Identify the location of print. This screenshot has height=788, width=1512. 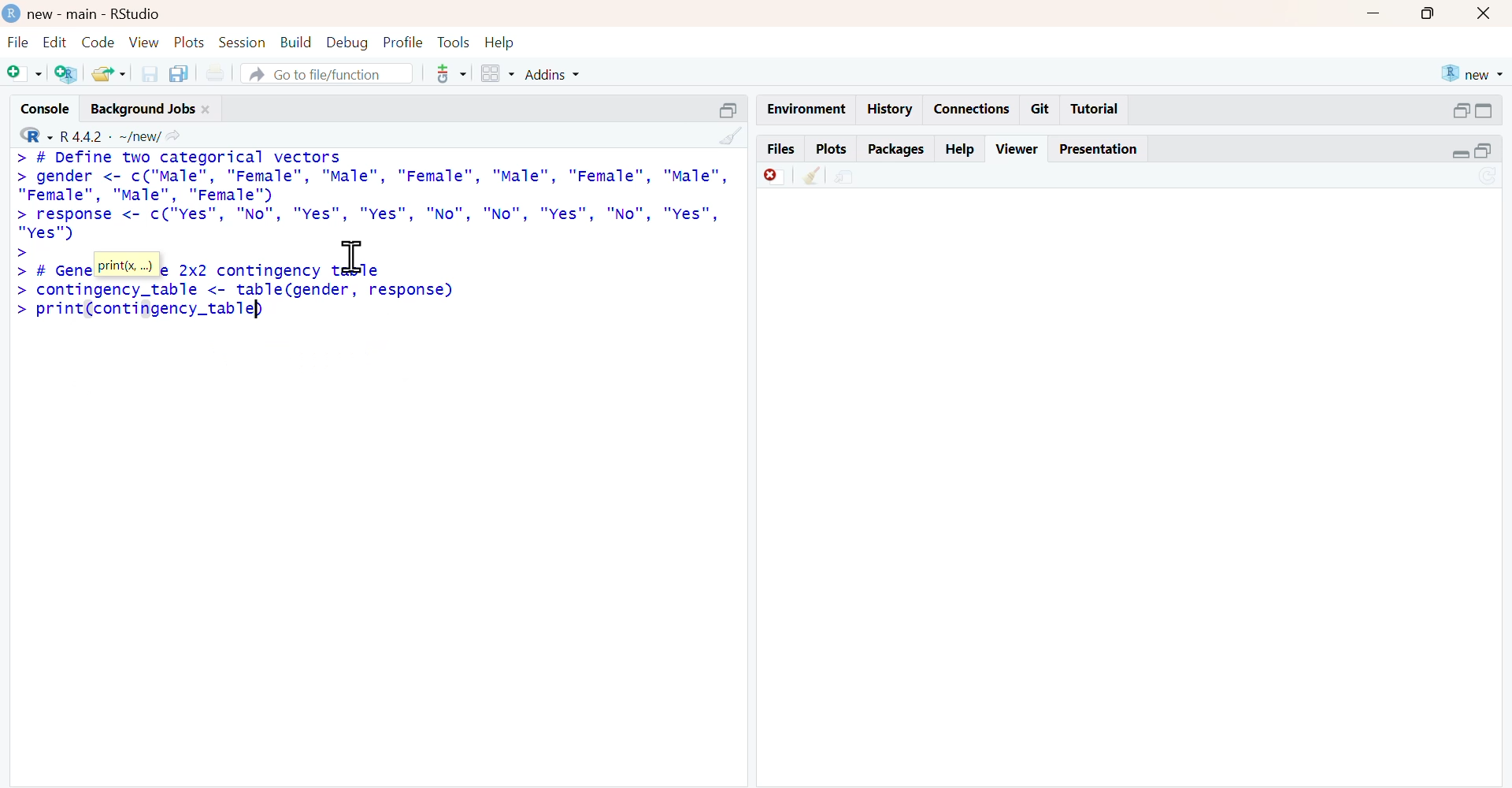
(217, 74).